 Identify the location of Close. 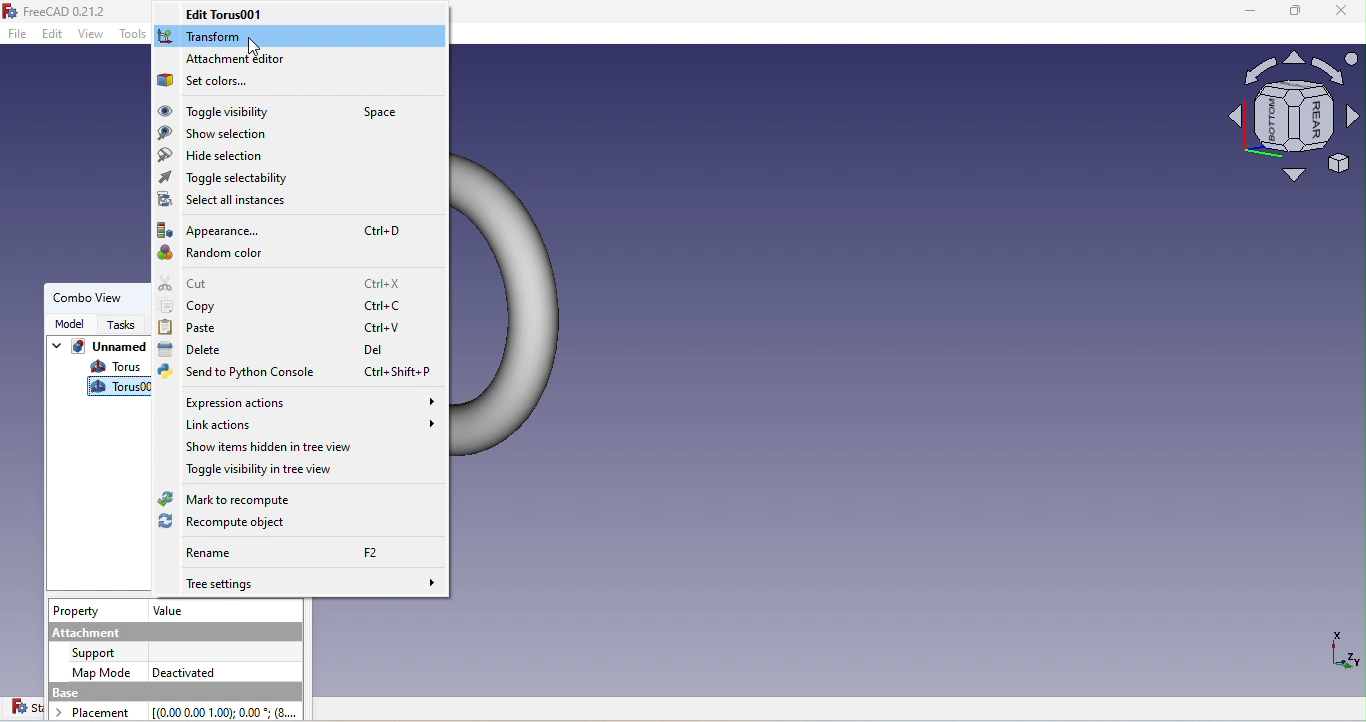
(1341, 13).